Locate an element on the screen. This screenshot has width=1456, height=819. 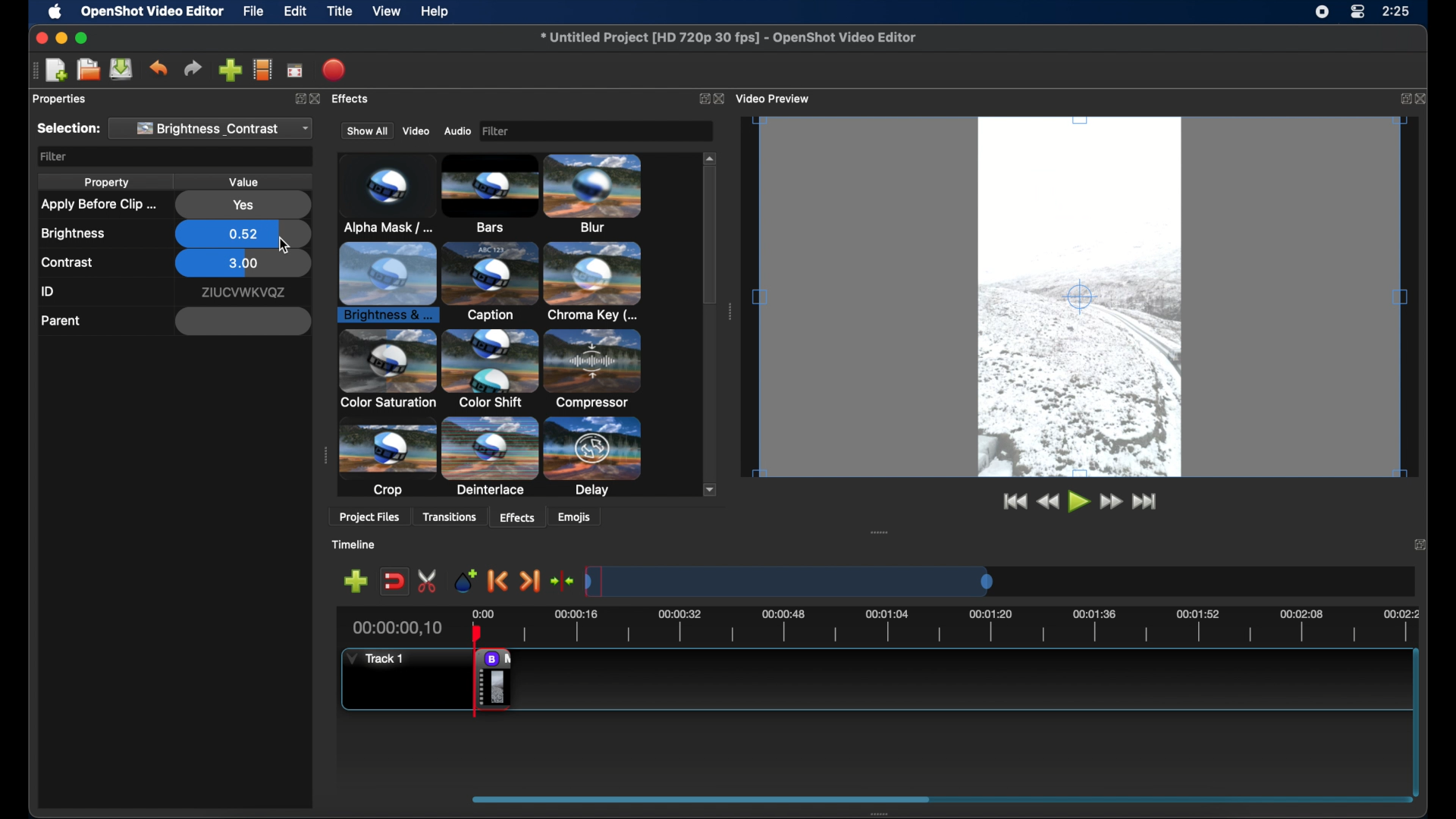
audio is located at coordinates (458, 130).